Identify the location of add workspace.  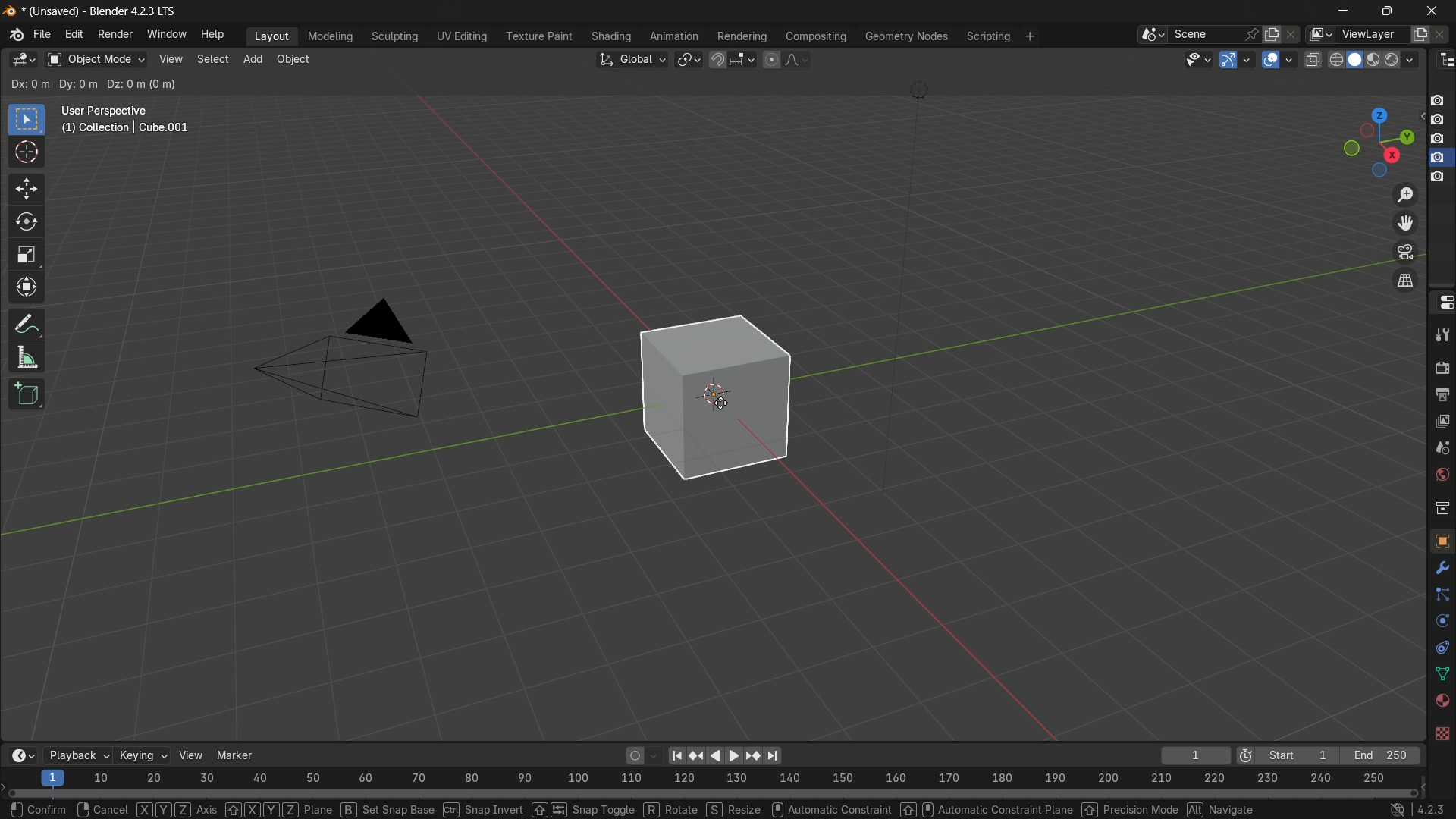
(1028, 36).